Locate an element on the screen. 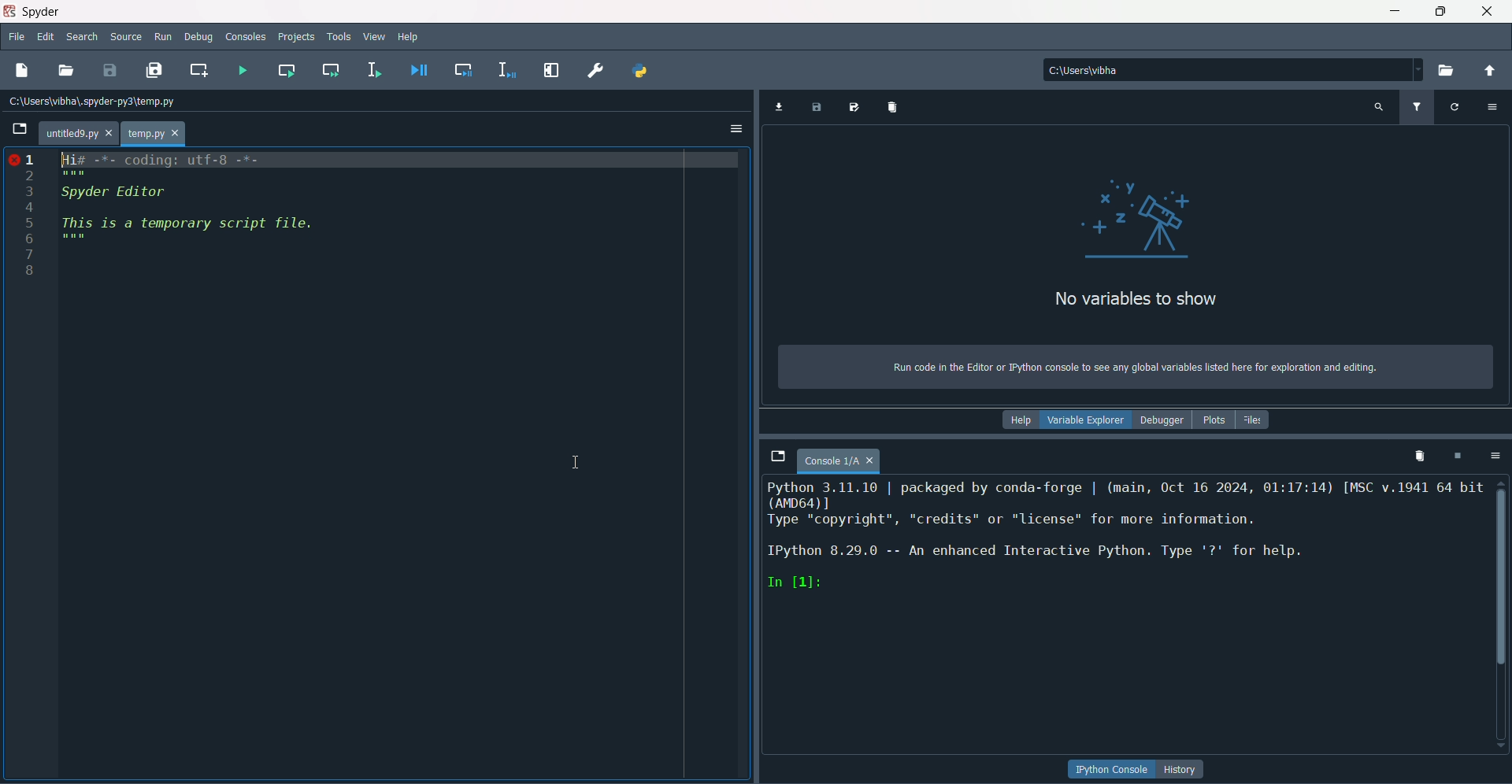 The image size is (1512, 784). help is located at coordinates (413, 37).